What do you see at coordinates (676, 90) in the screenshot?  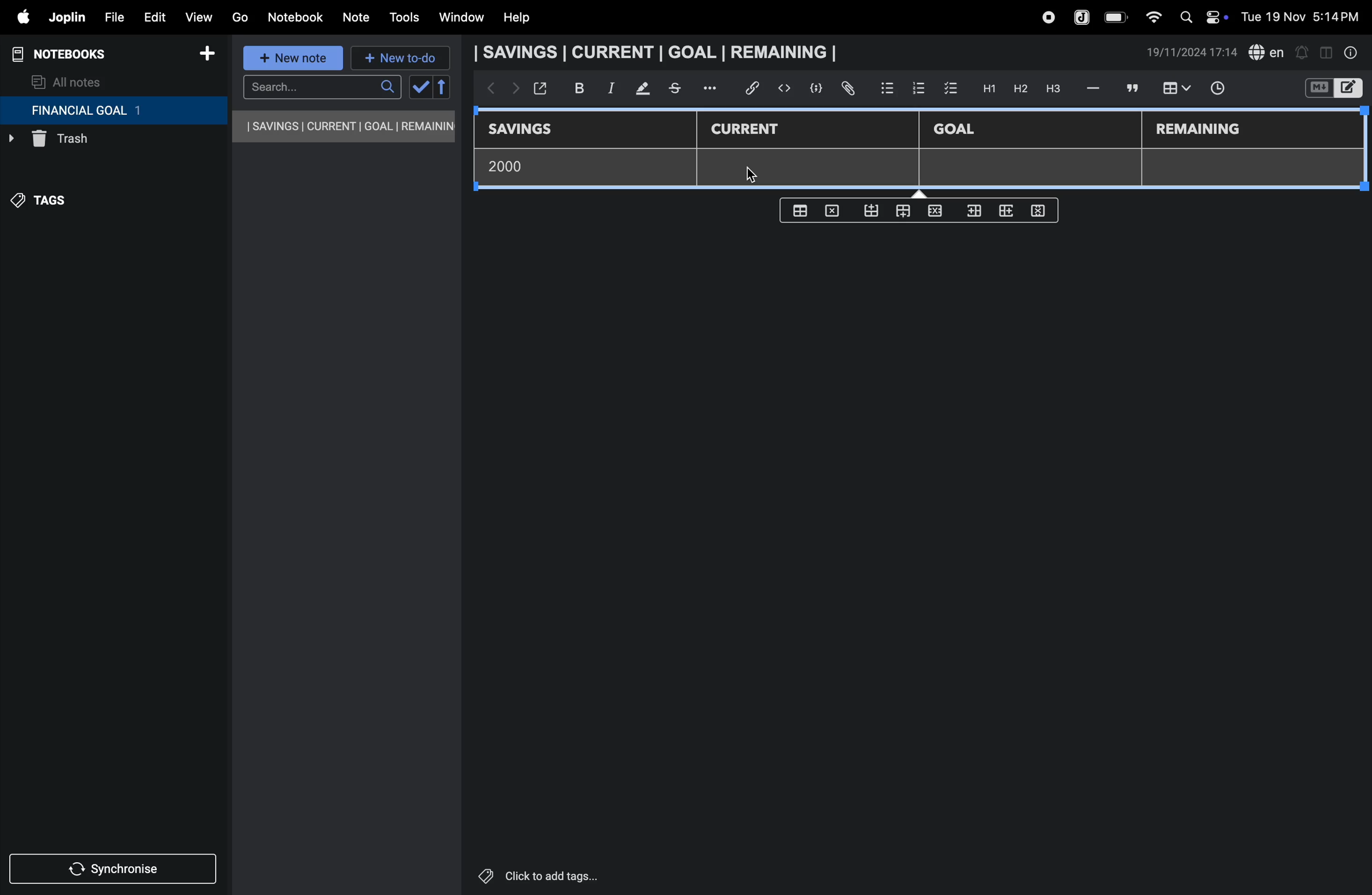 I see `stketchbook` at bounding box center [676, 90].